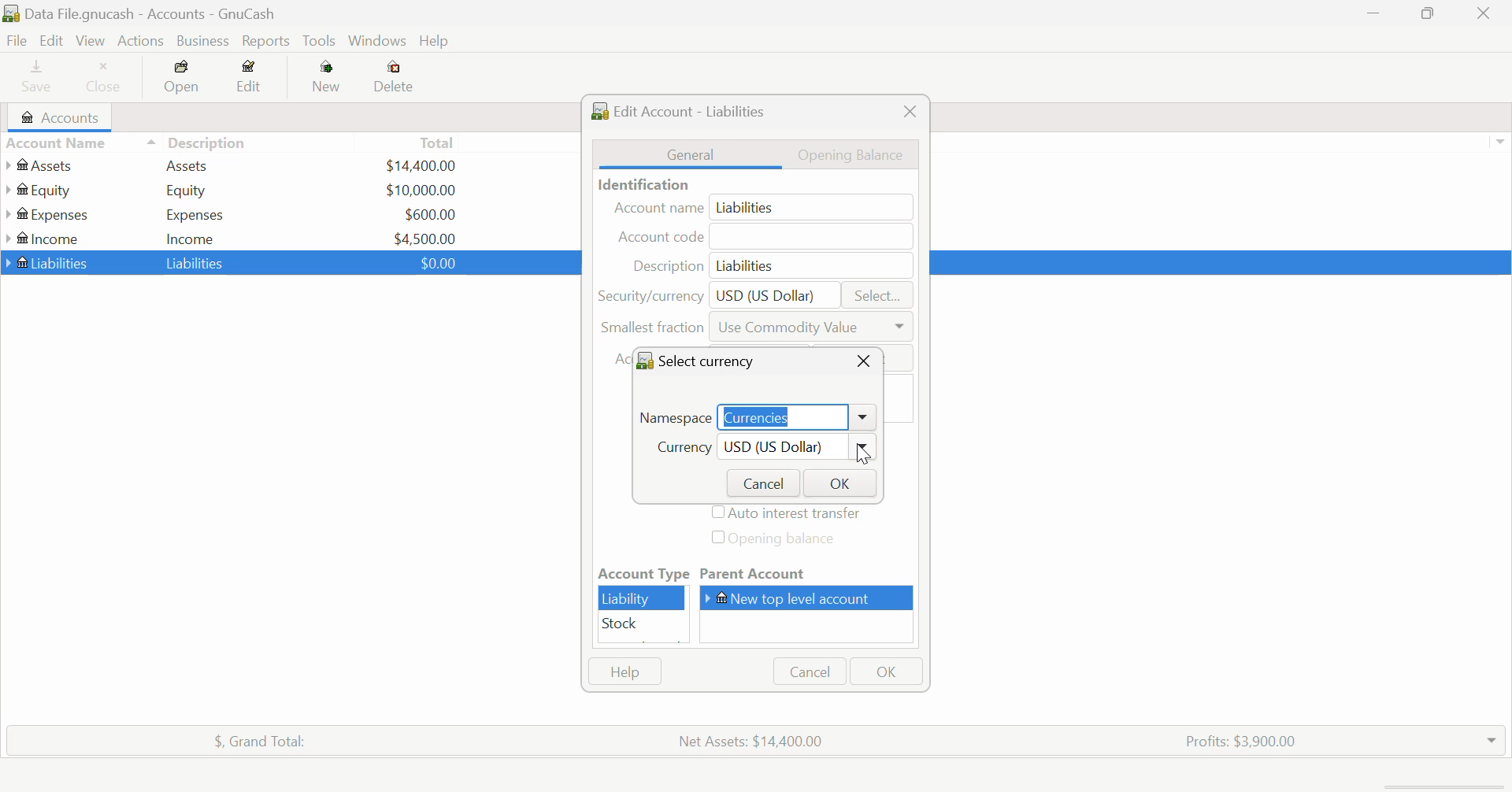 The height and width of the screenshot is (792, 1512). What do you see at coordinates (436, 42) in the screenshot?
I see `Help` at bounding box center [436, 42].